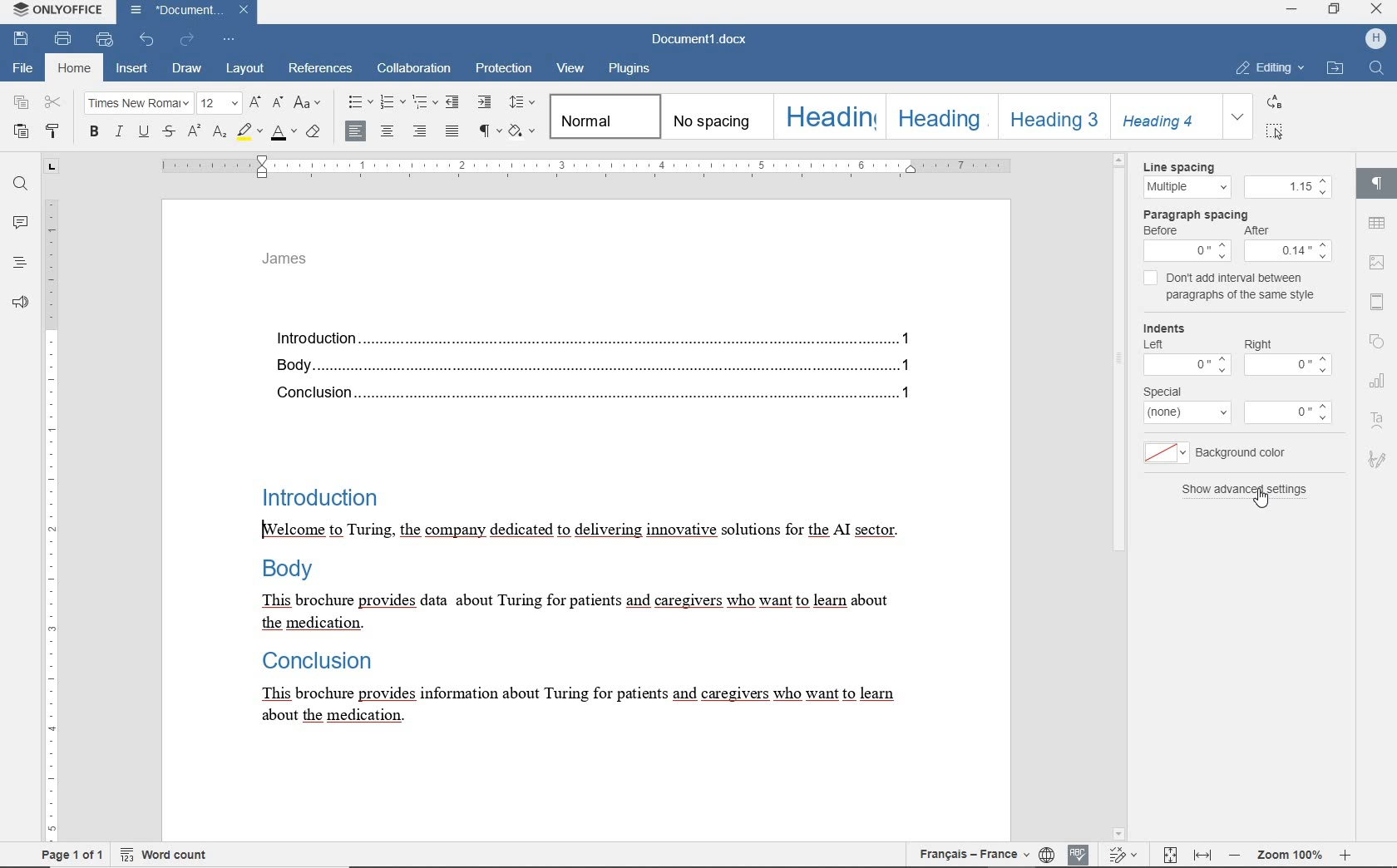  Describe the element at coordinates (21, 133) in the screenshot. I see `paste` at that location.